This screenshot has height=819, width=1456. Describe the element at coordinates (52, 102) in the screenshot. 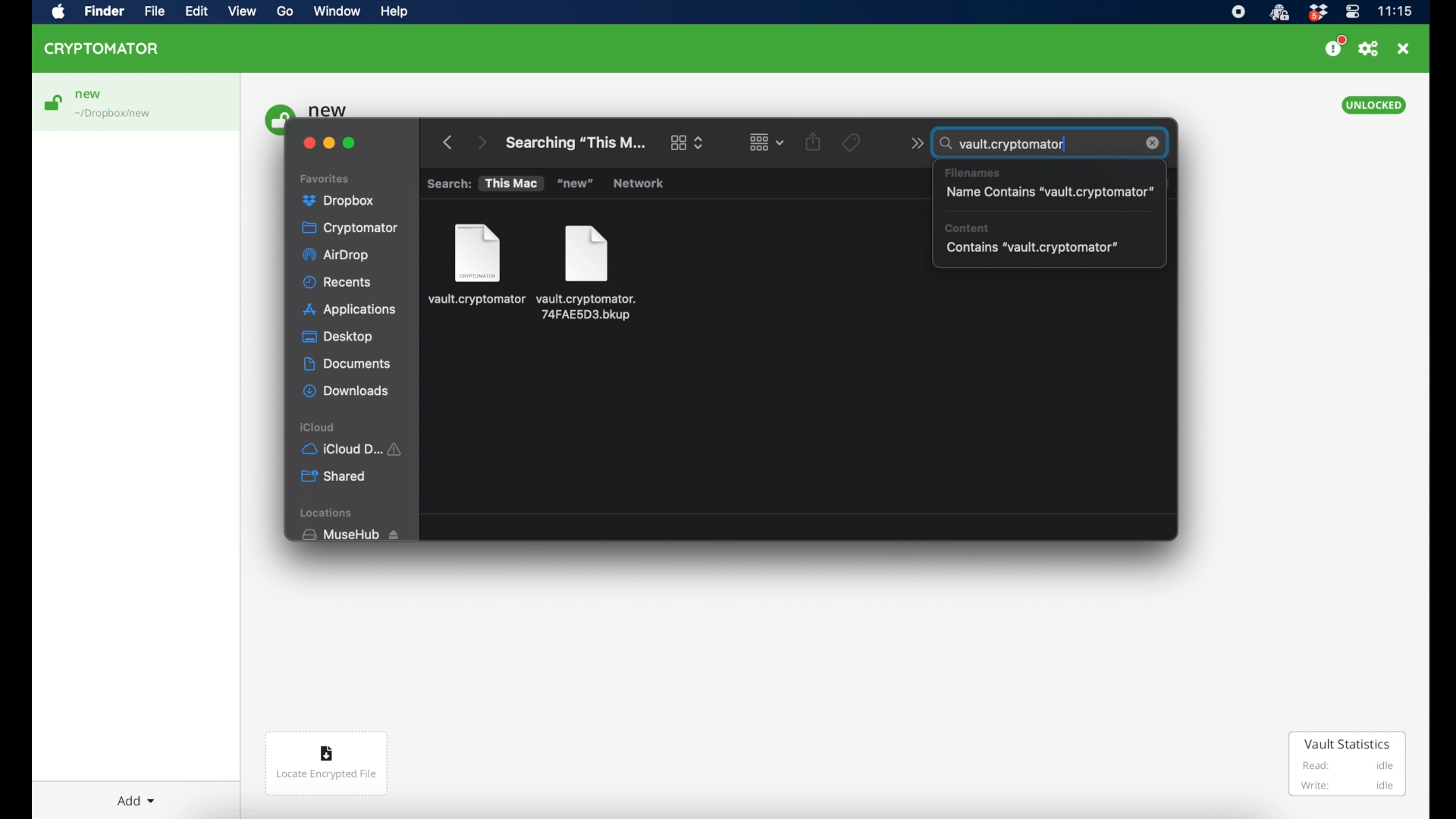

I see `unlock` at that location.